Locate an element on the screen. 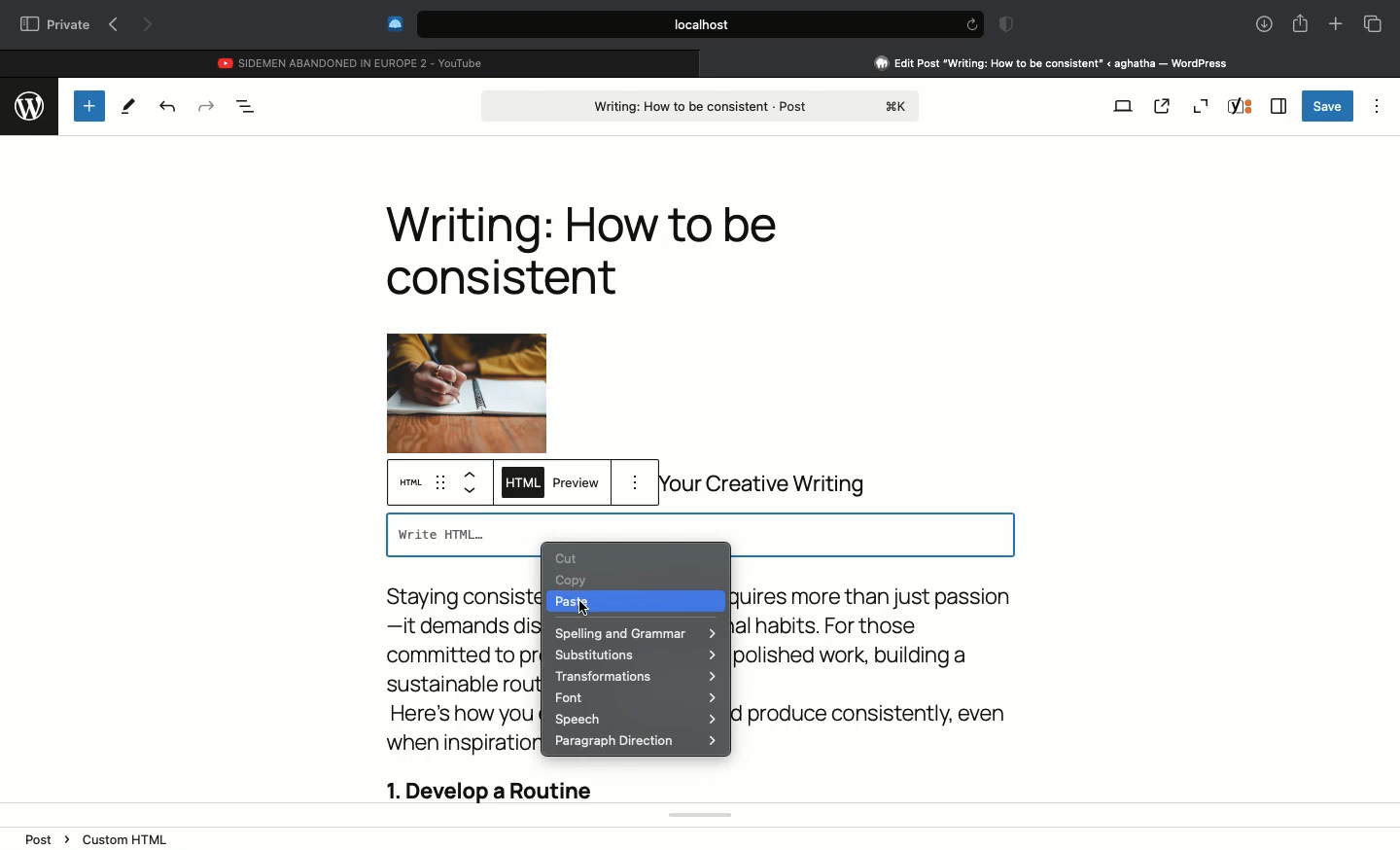 The image size is (1400, 850). Tools is located at coordinates (128, 107).